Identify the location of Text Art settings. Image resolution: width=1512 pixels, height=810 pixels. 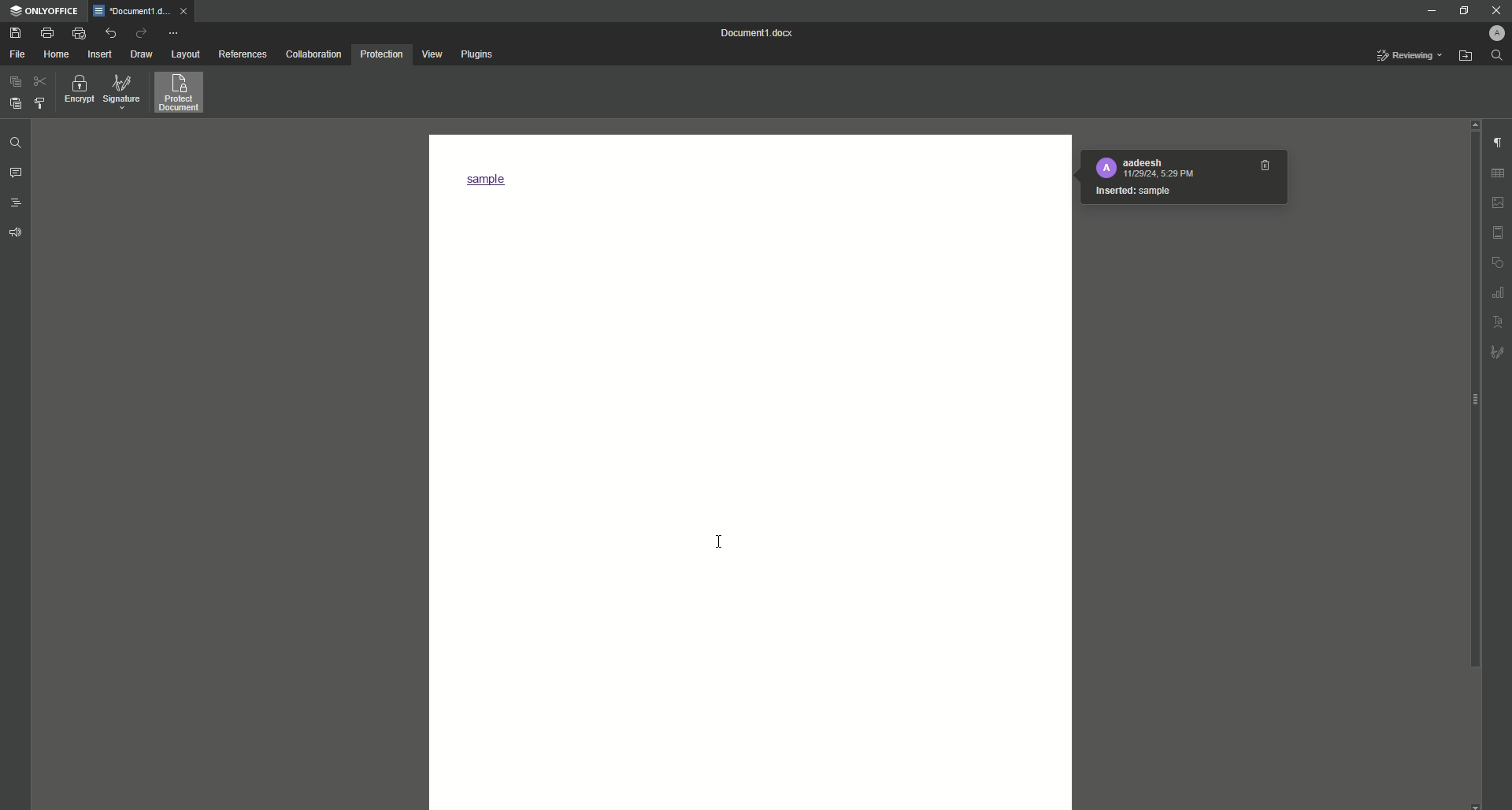
(1499, 321).